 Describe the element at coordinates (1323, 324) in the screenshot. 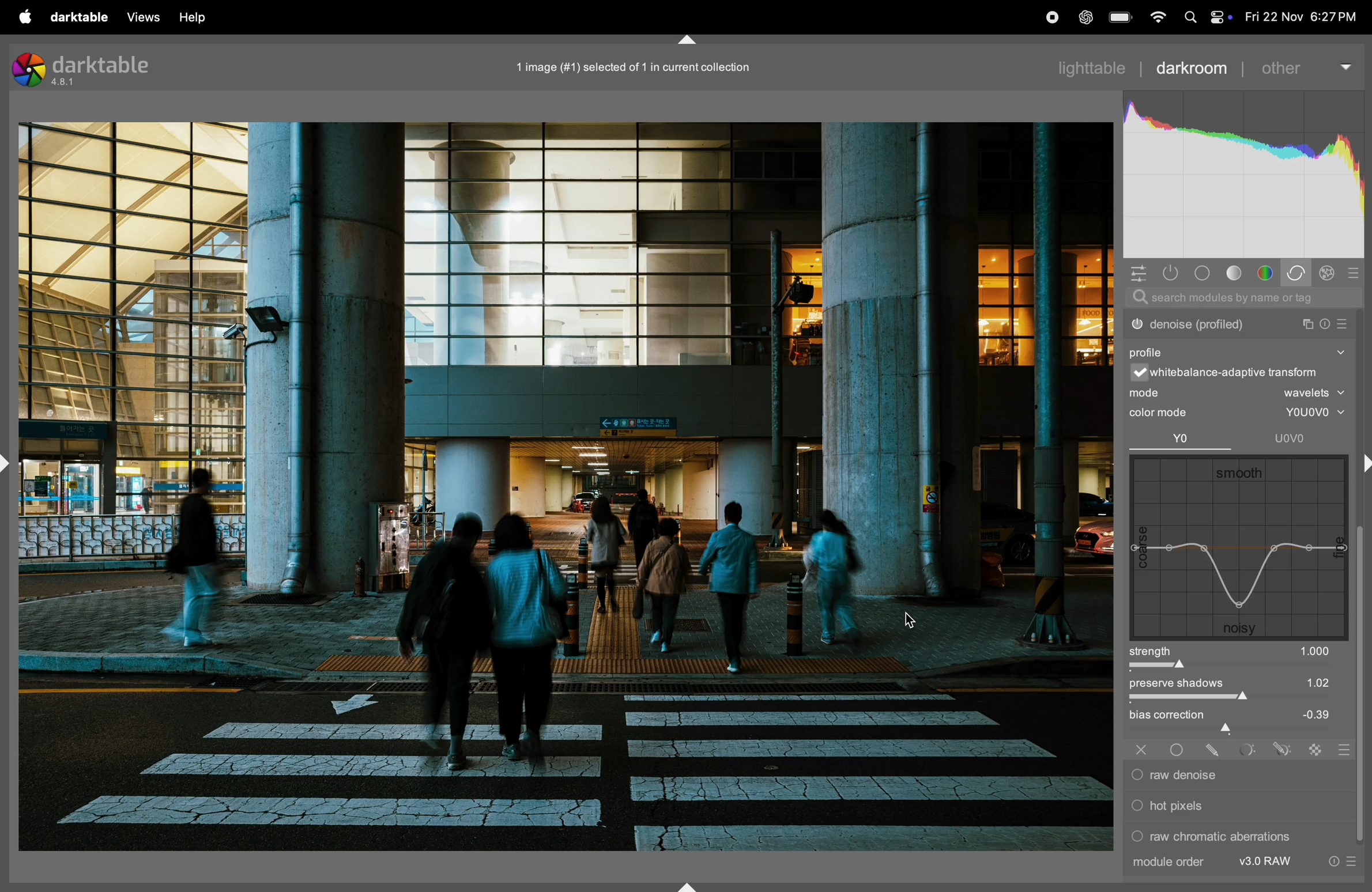

I see `reset` at that location.